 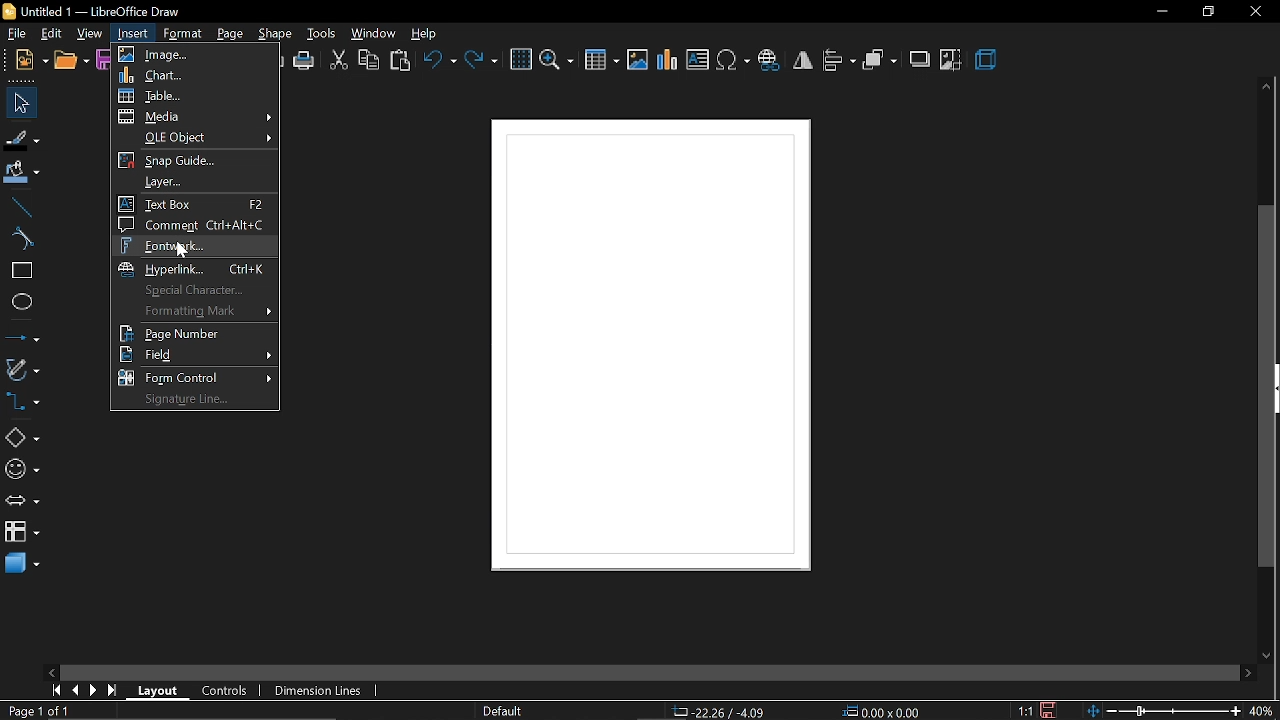 I want to click on flowchart, so click(x=22, y=531).